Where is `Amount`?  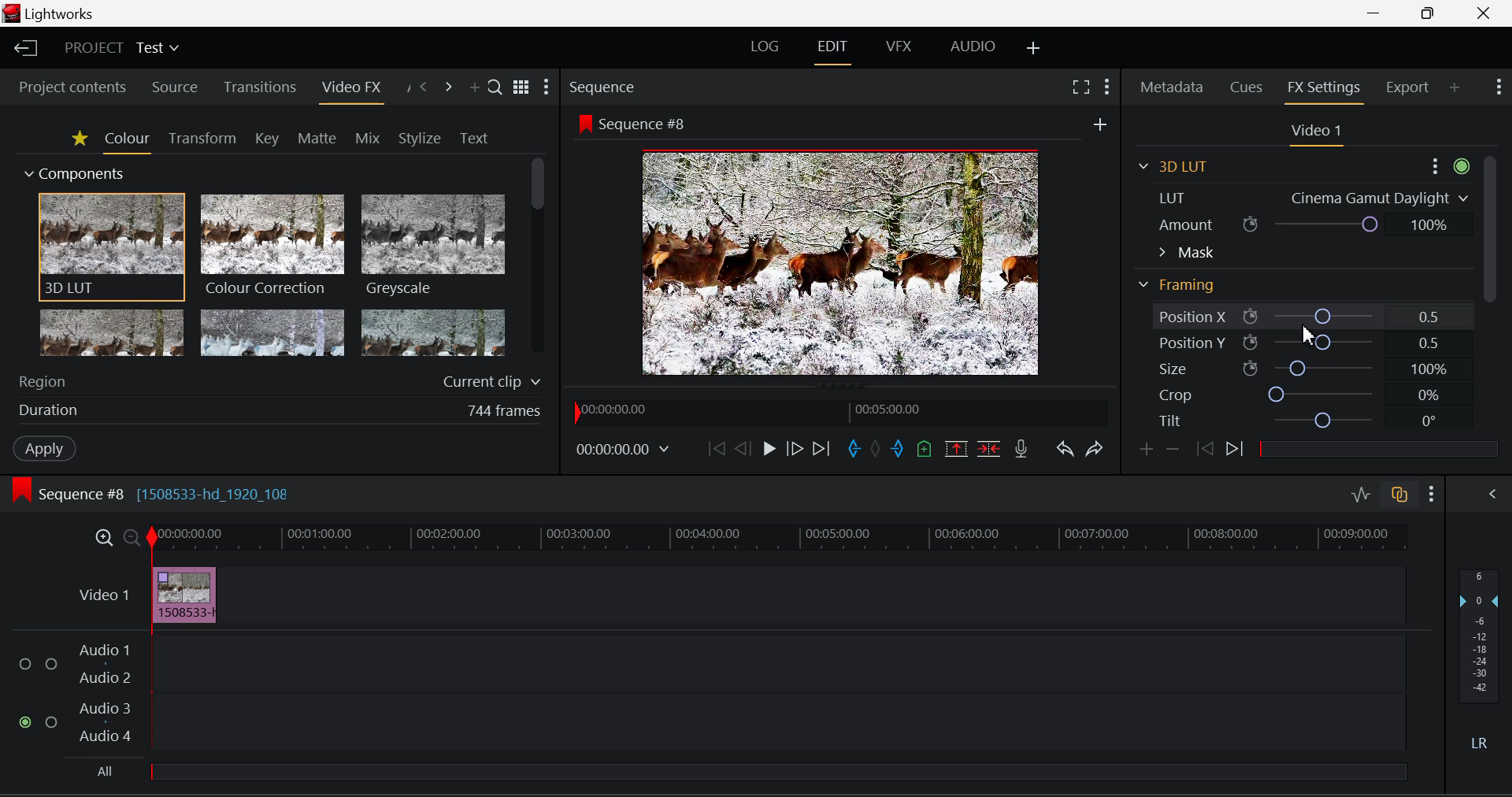
Amount is located at coordinates (1315, 224).